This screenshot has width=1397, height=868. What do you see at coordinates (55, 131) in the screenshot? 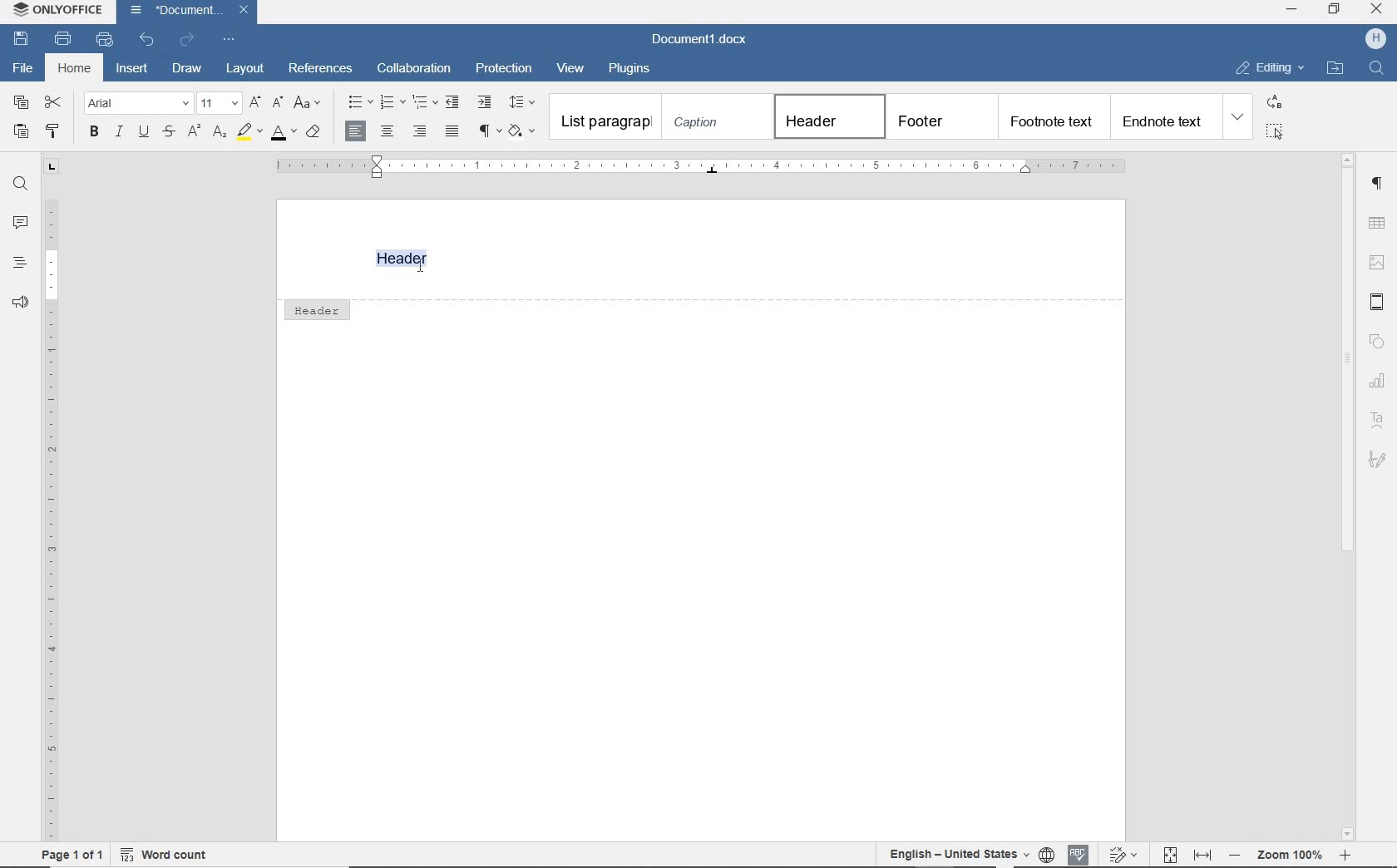
I see `copy style` at bounding box center [55, 131].